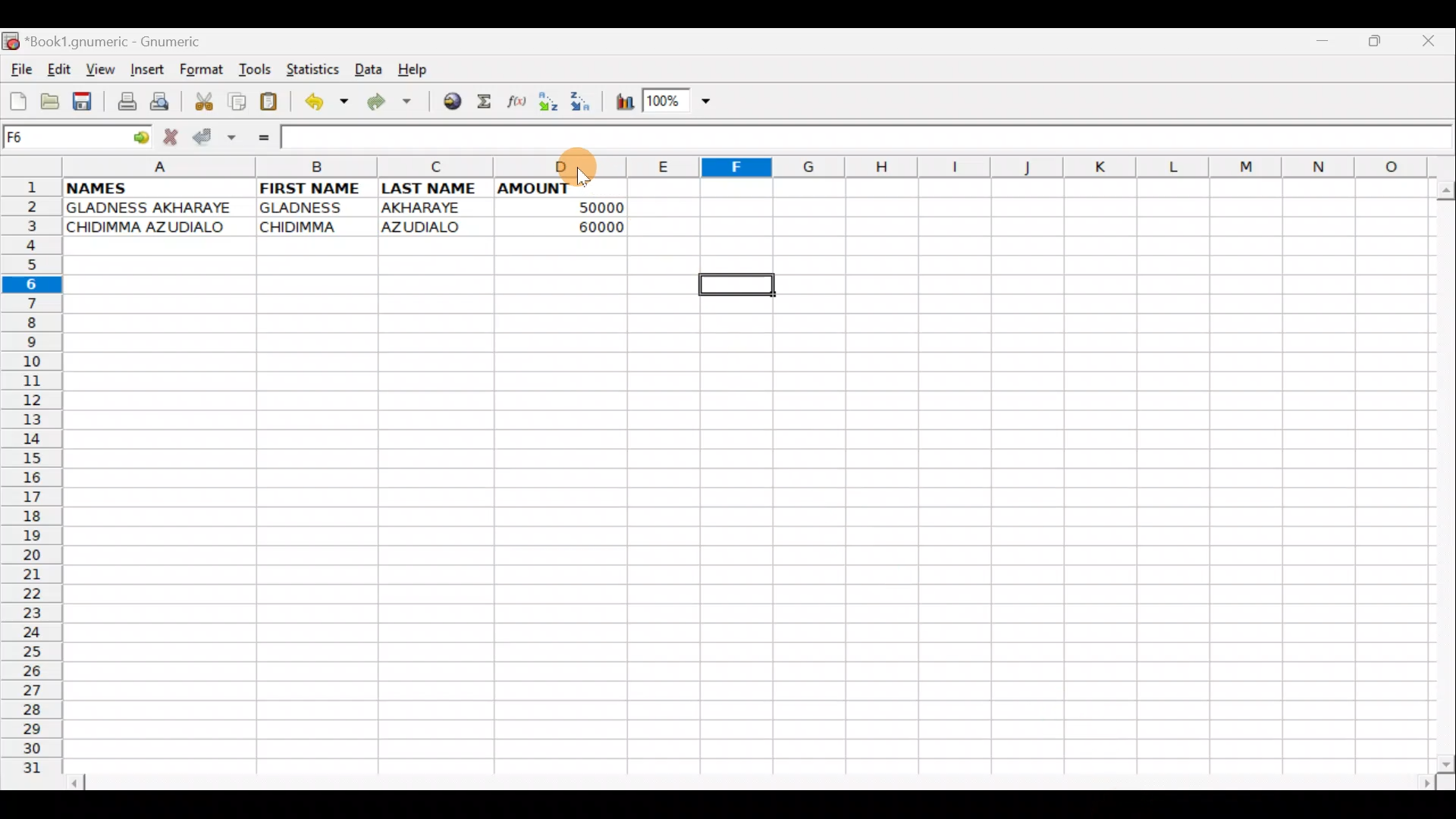  I want to click on Scroll bar, so click(745, 780).